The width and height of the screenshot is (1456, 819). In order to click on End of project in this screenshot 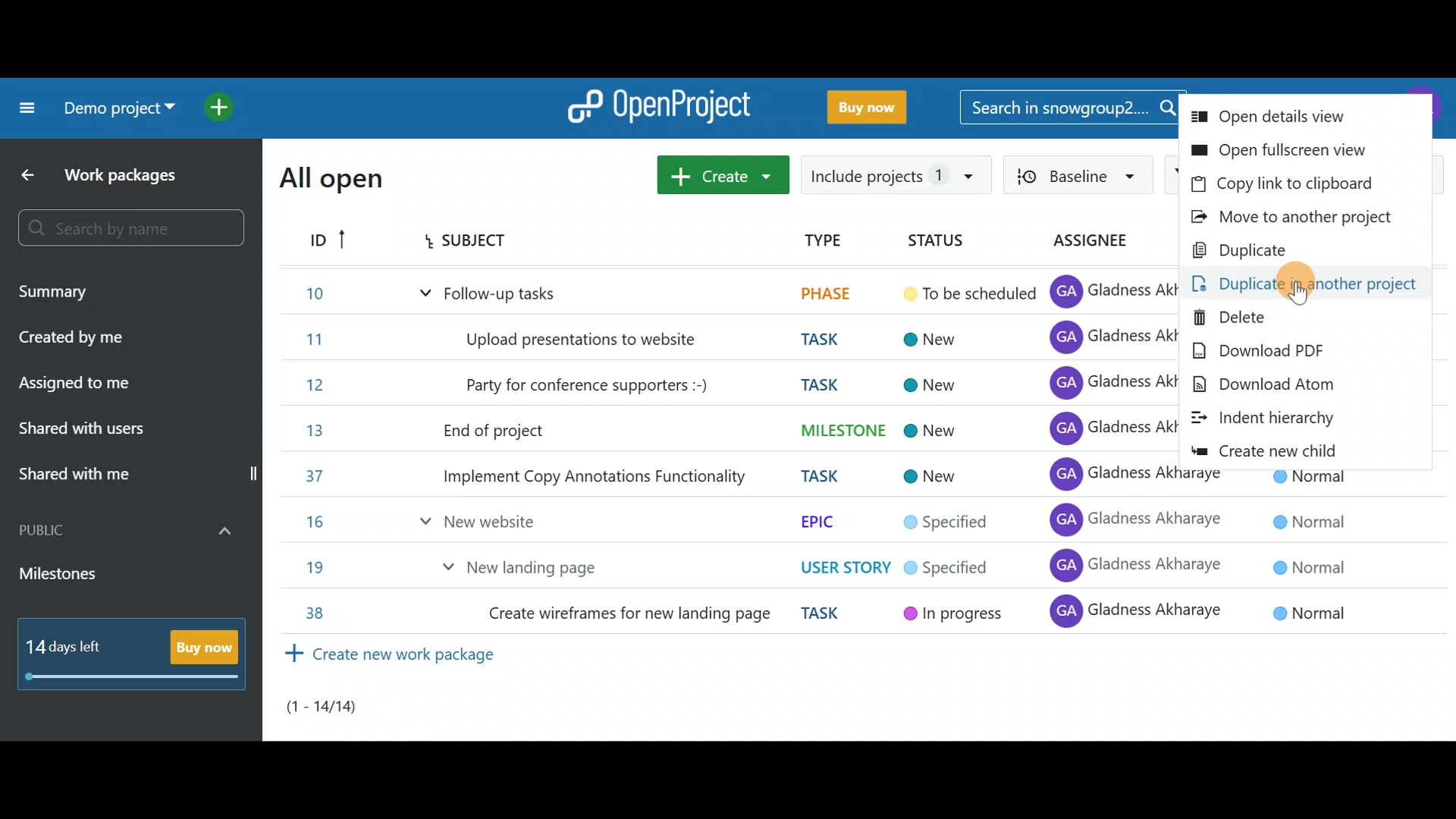, I will do `click(494, 431)`.